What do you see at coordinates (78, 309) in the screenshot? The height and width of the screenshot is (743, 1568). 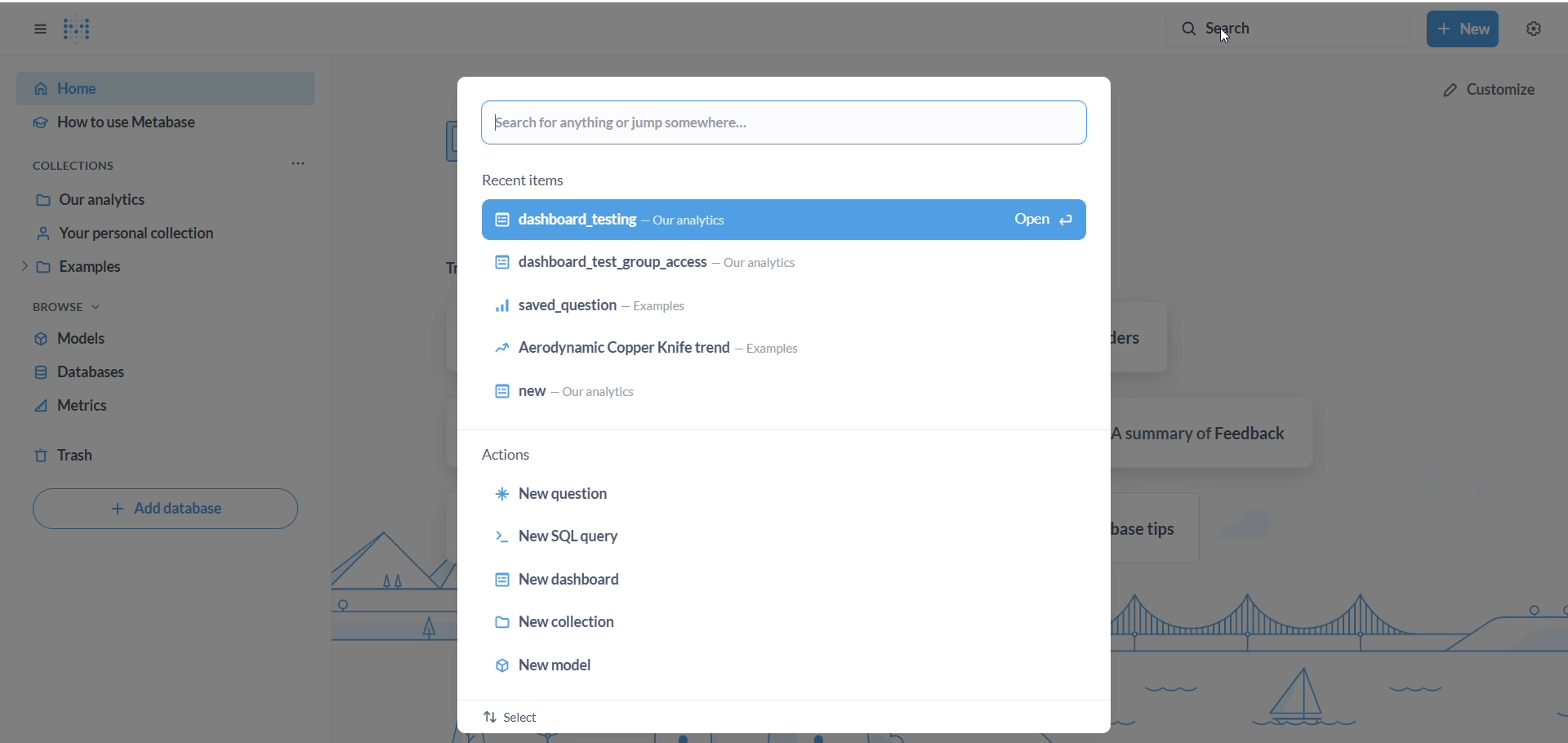 I see `browse` at bounding box center [78, 309].